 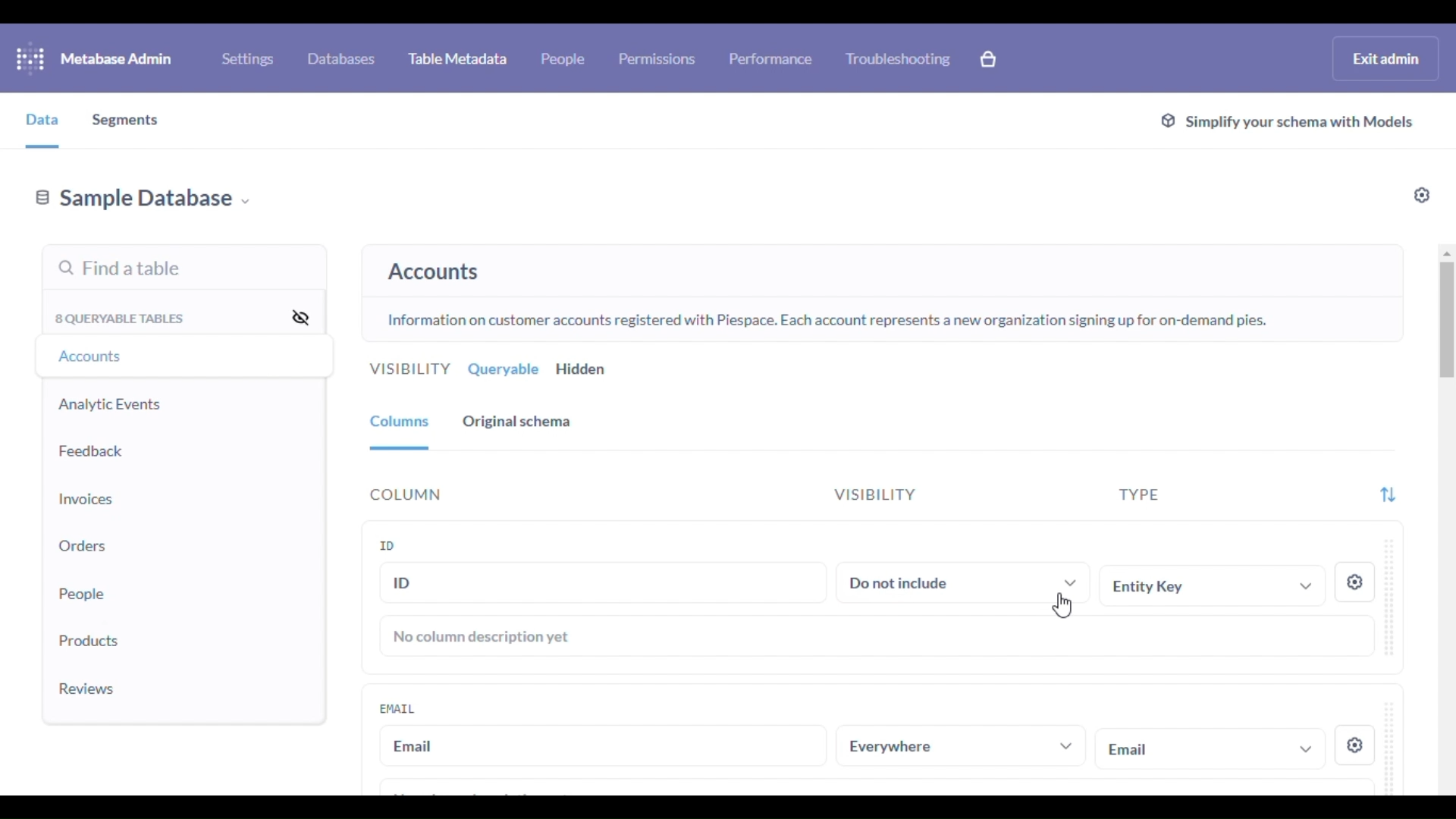 What do you see at coordinates (989, 59) in the screenshot?
I see `explore paid features` at bounding box center [989, 59].